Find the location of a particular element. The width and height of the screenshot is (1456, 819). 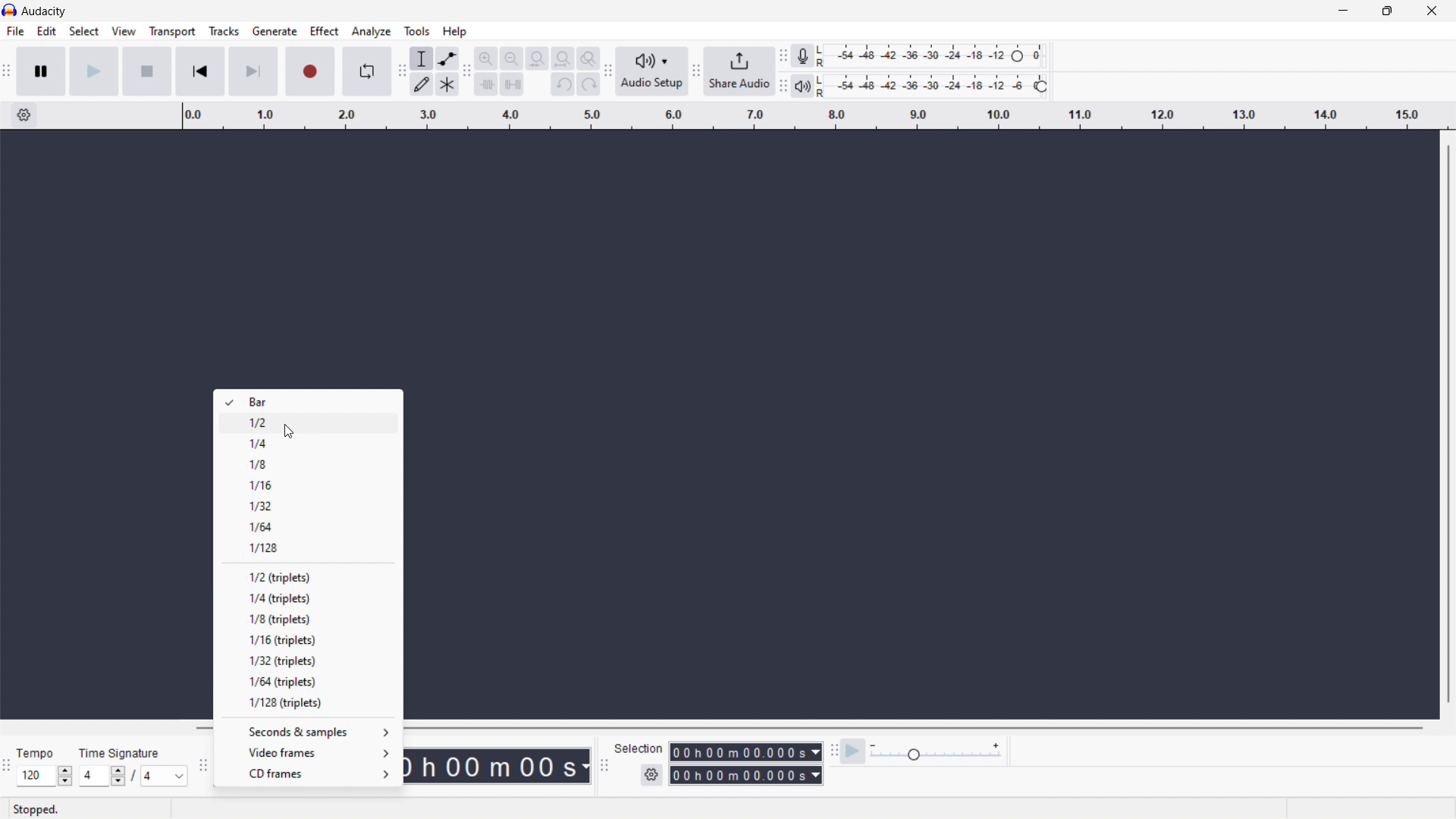

1/128 is located at coordinates (307, 548).